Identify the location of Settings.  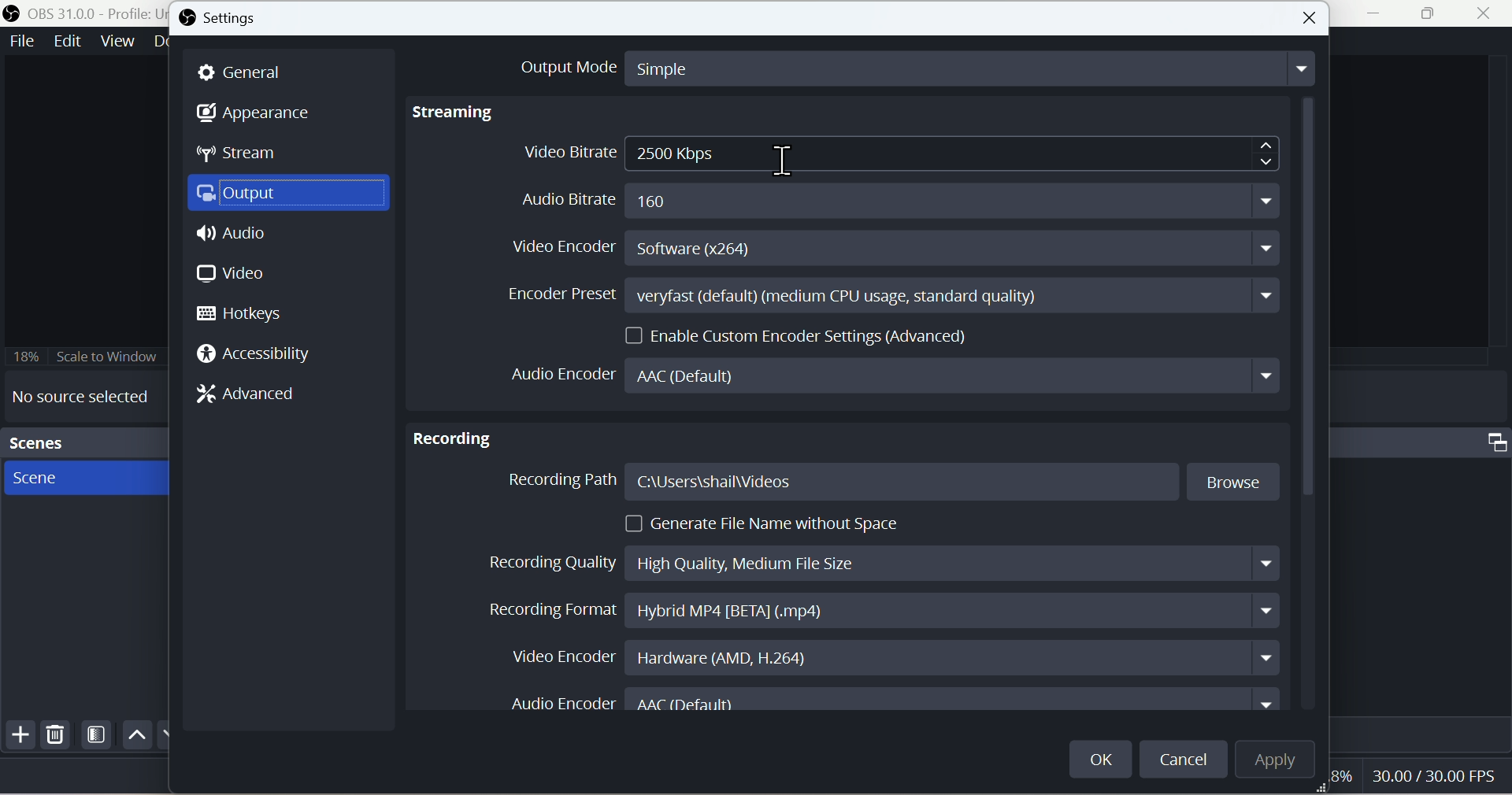
(229, 20).